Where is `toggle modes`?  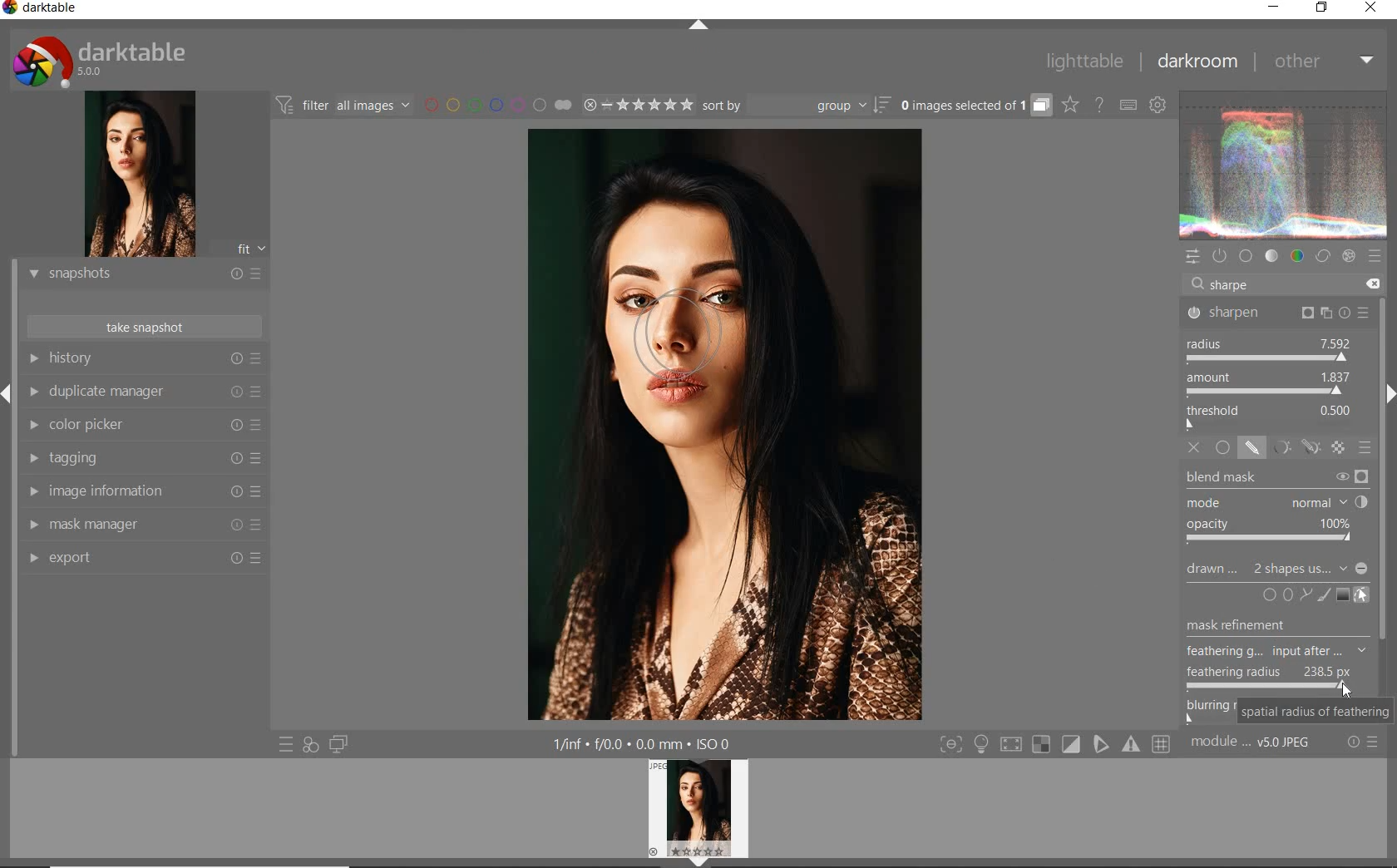 toggle modes is located at coordinates (951, 745).